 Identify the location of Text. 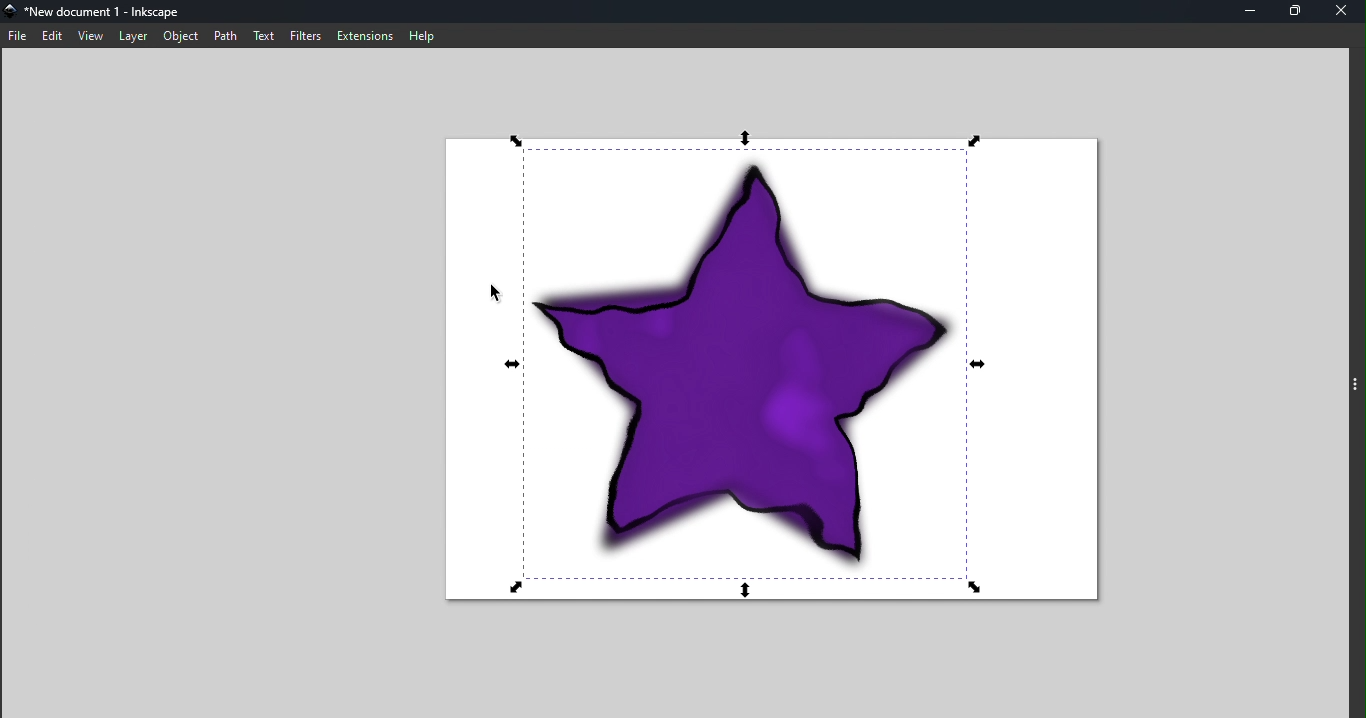
(265, 35).